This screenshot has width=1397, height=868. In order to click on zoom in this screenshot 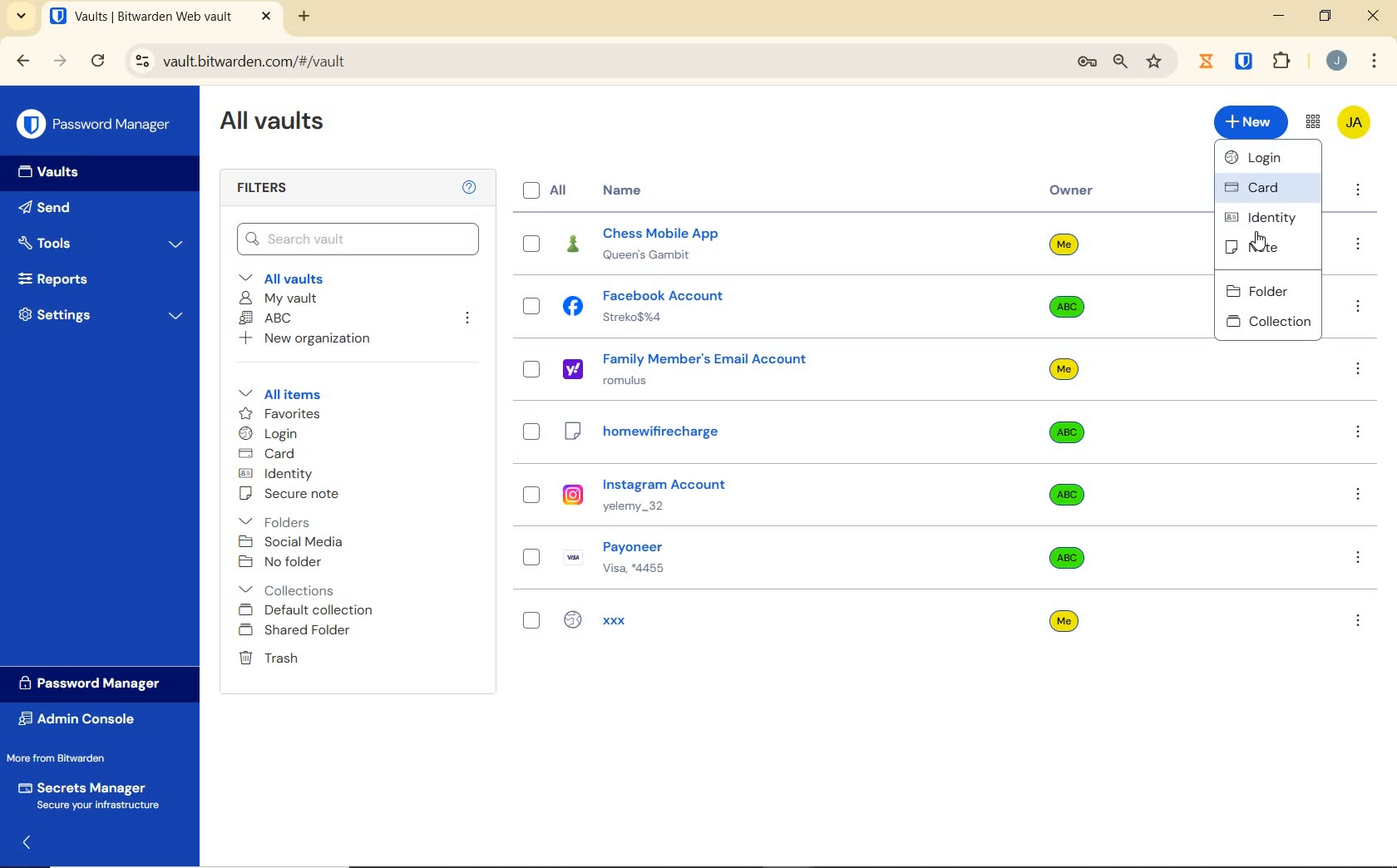, I will do `click(1118, 62)`.